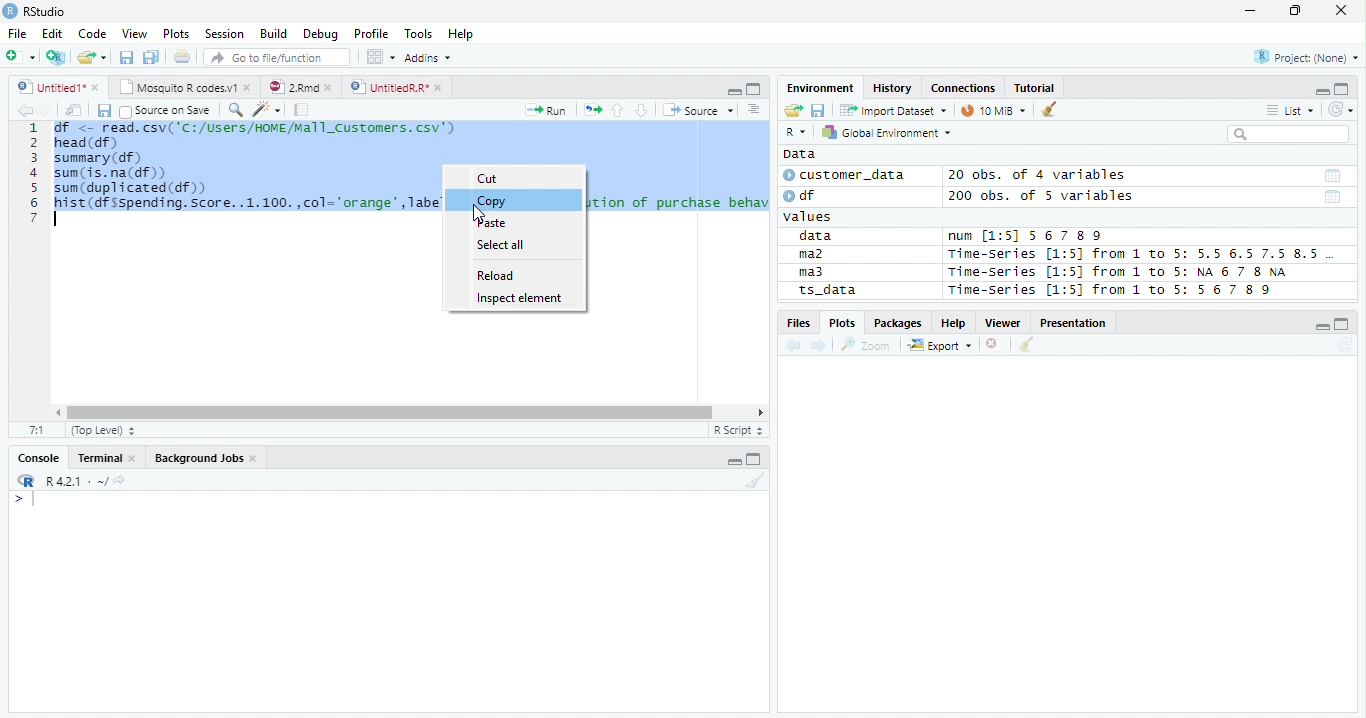 This screenshot has height=718, width=1366. Describe the element at coordinates (1126, 273) in the screenshot. I see `Time-series [1:5] from 1 to 5: NA 6 7 8 NA` at that location.